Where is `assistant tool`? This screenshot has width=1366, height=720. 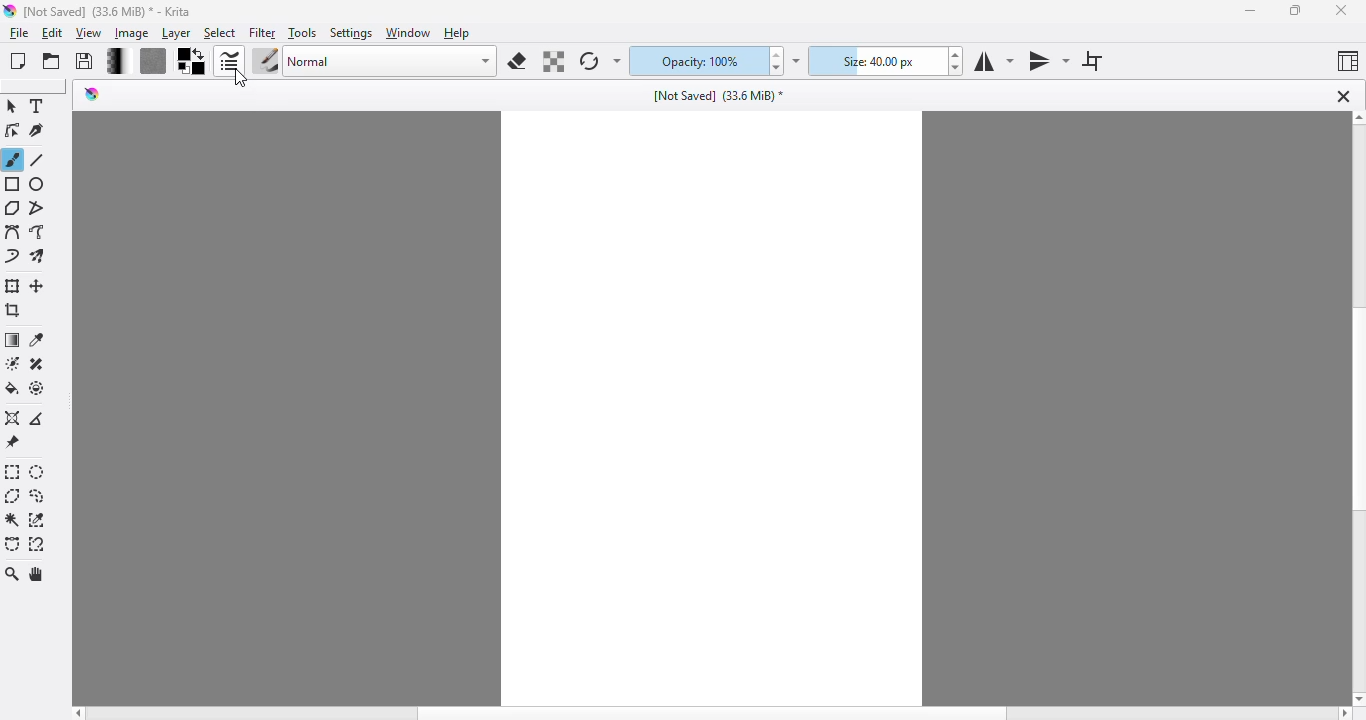 assistant tool is located at coordinates (12, 418).